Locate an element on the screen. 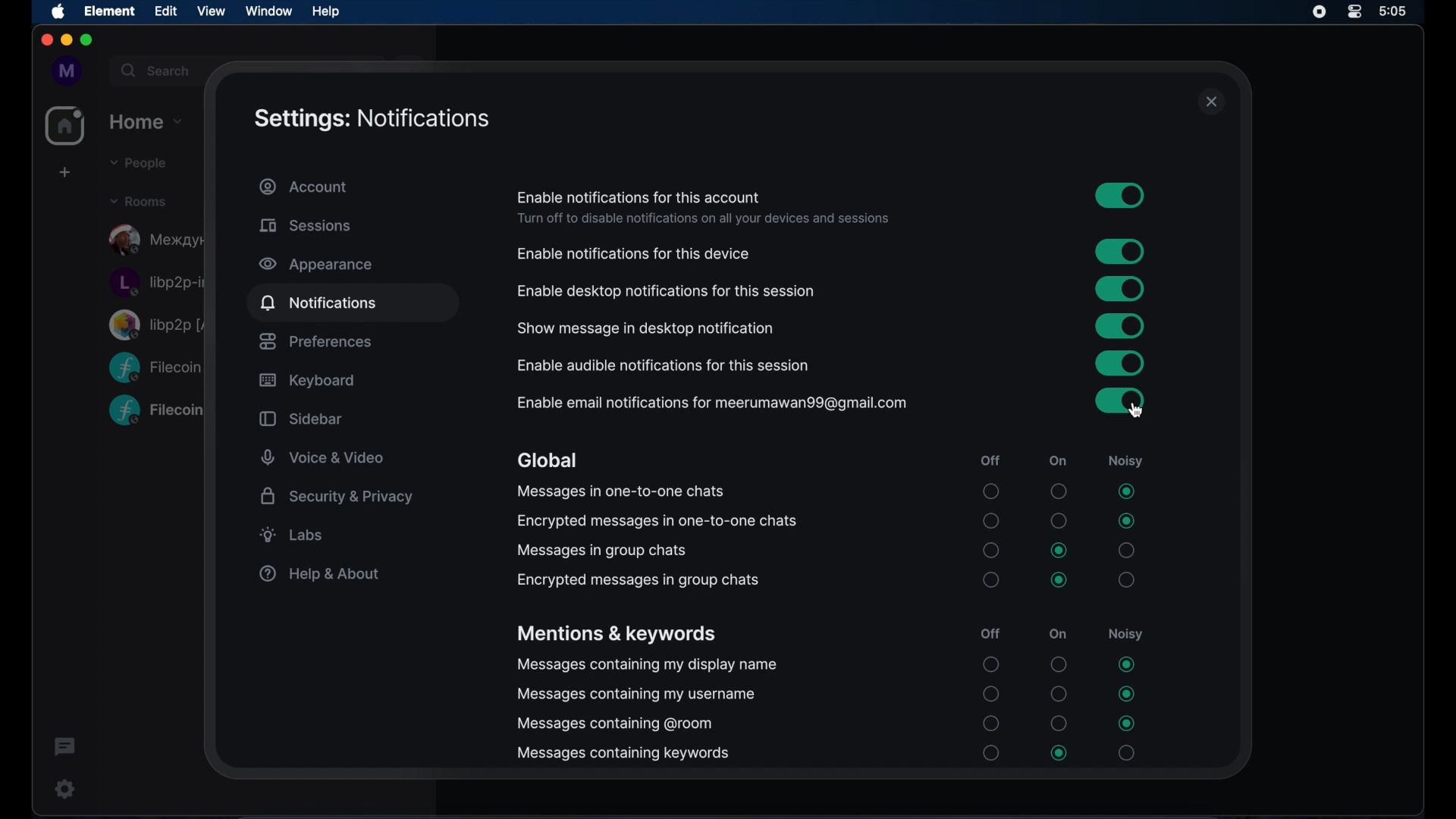  preferences is located at coordinates (315, 341).